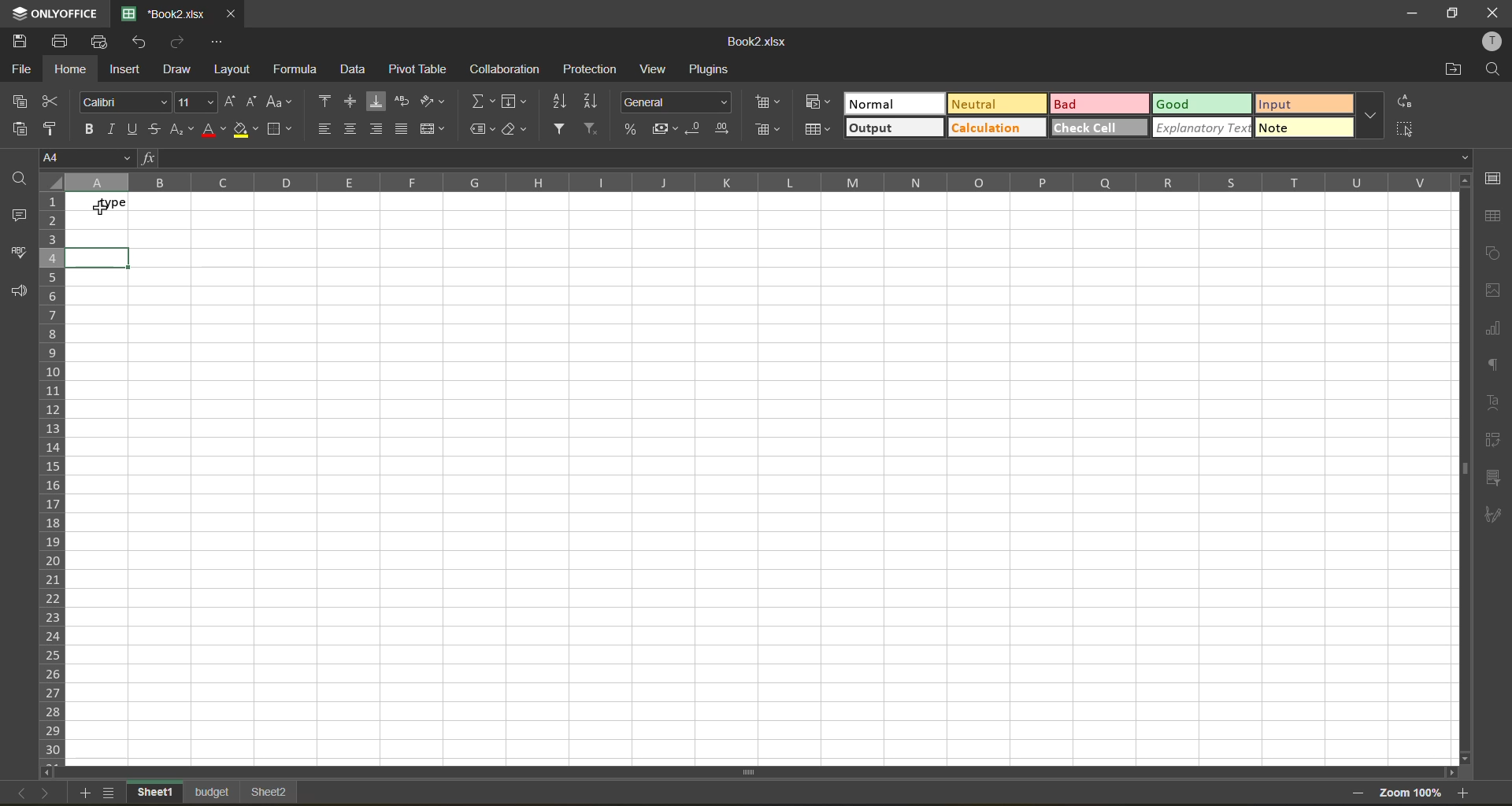 The image size is (1512, 806). I want to click on profile, so click(1489, 40).